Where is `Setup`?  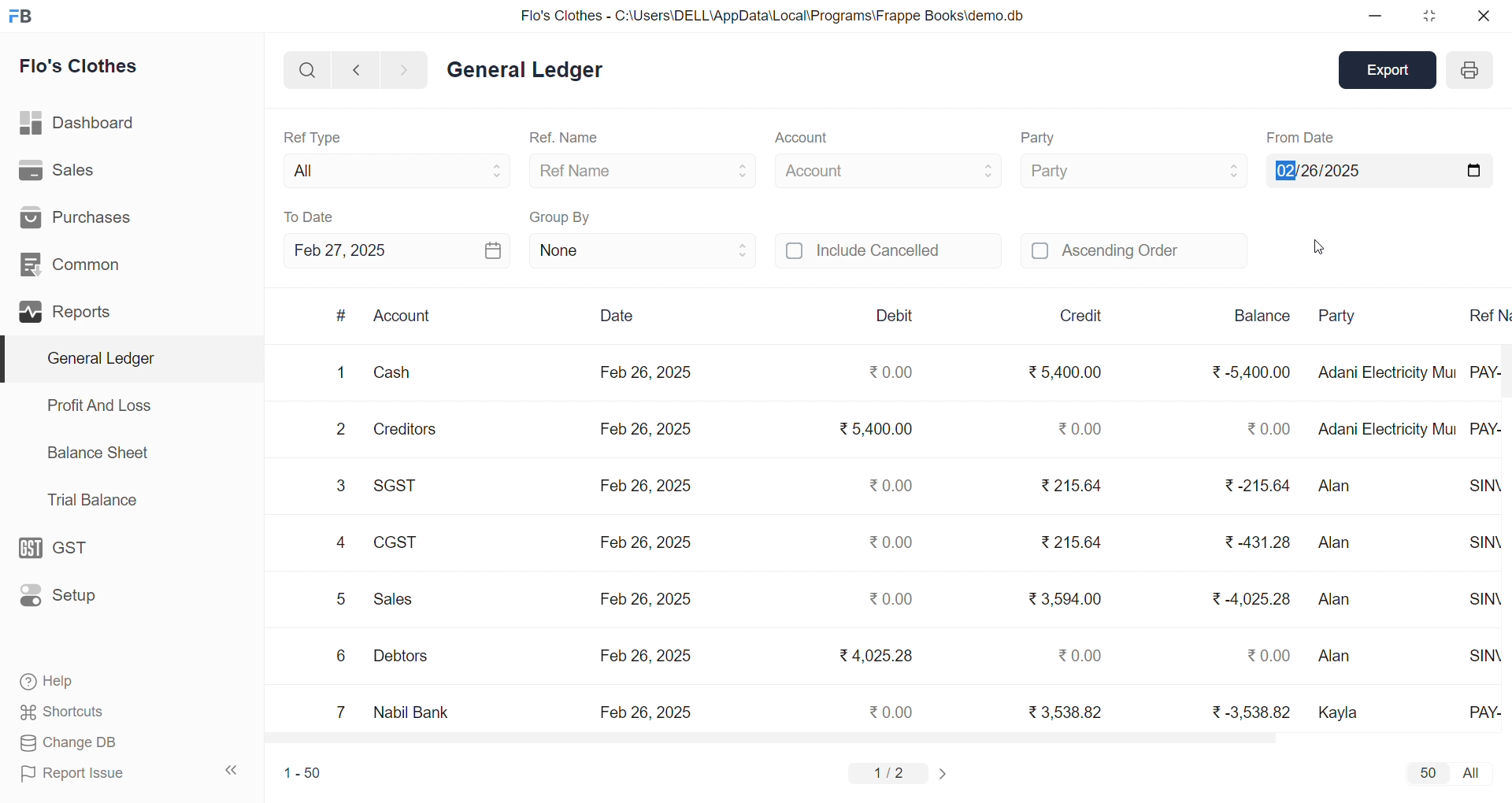 Setup is located at coordinates (62, 596).